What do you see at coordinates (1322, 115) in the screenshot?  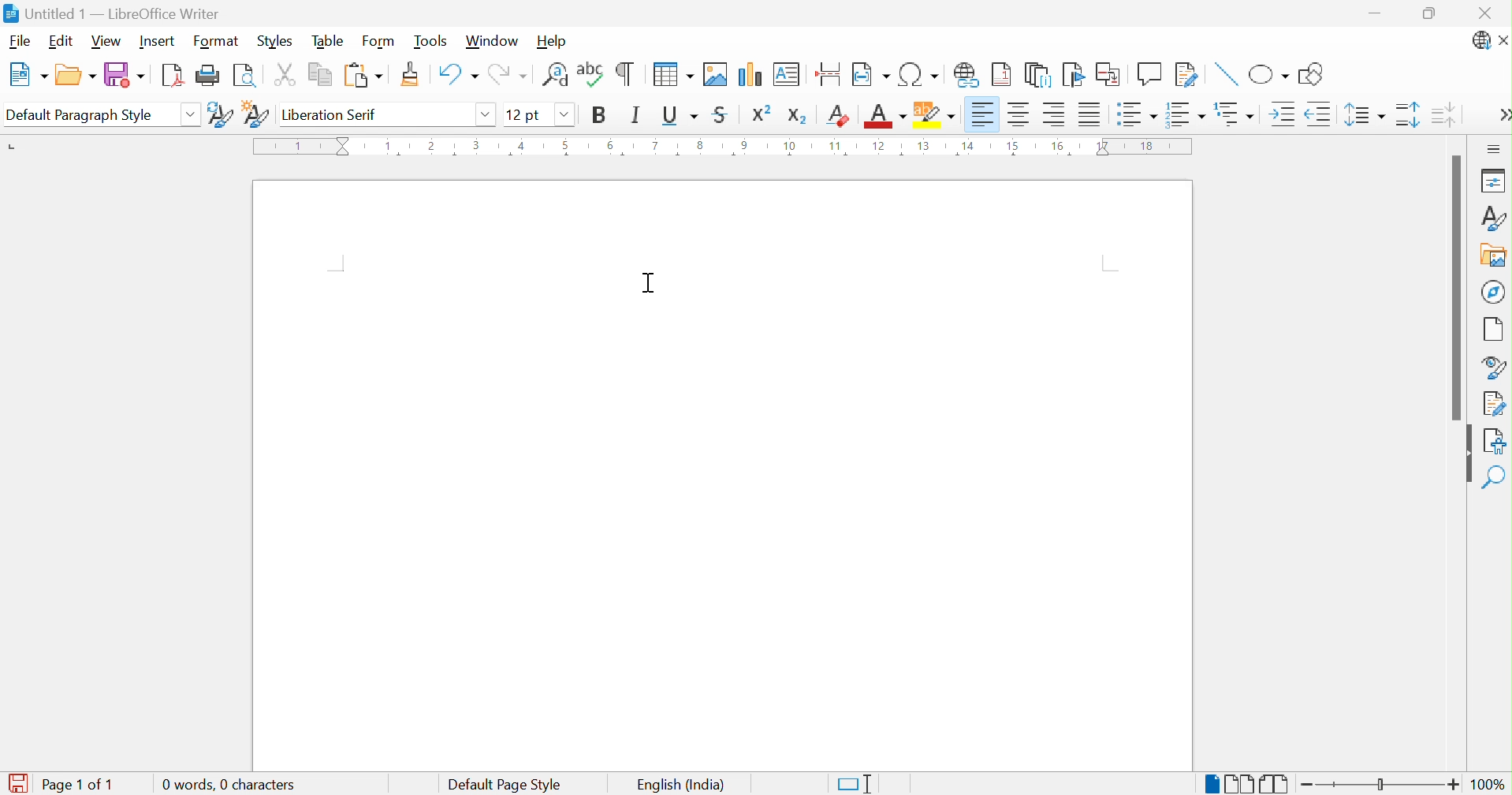 I see `Decrease indent` at bounding box center [1322, 115].